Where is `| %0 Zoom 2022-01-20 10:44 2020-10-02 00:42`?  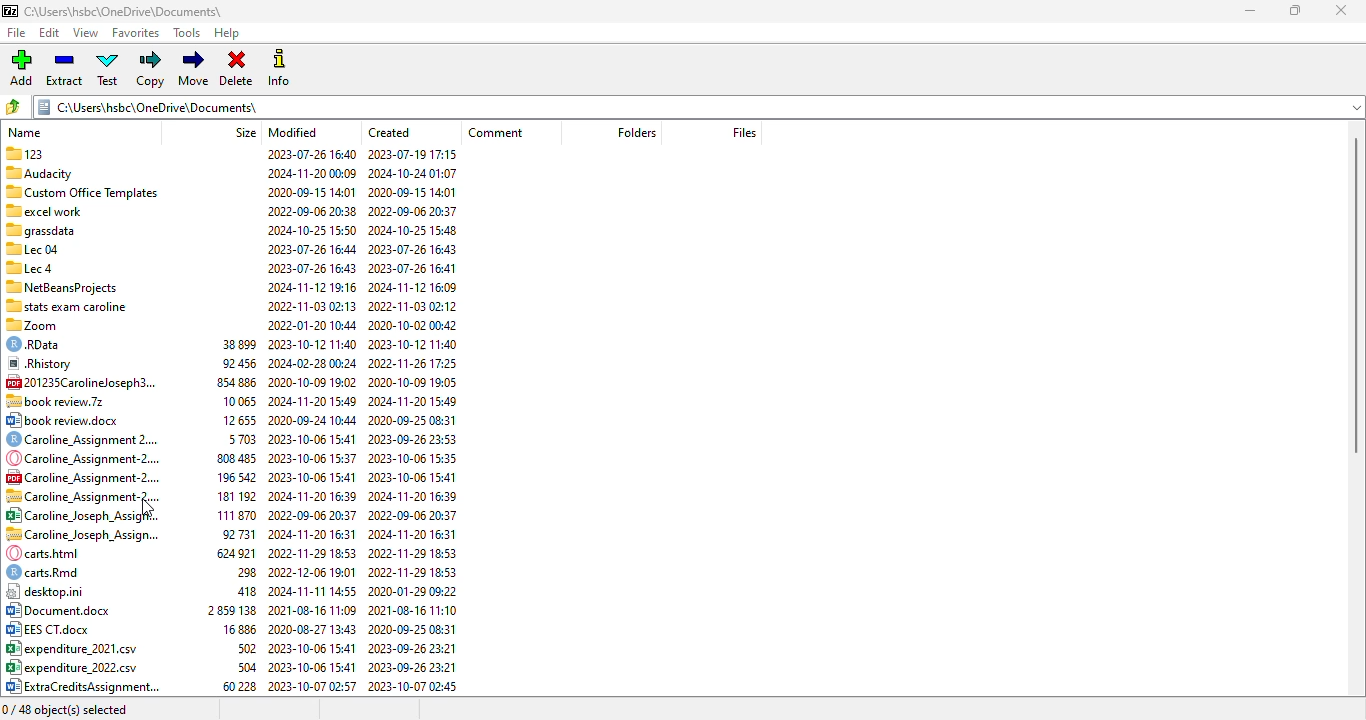
| %0 Zoom 2022-01-20 10:44 2020-10-02 00:42 is located at coordinates (230, 325).